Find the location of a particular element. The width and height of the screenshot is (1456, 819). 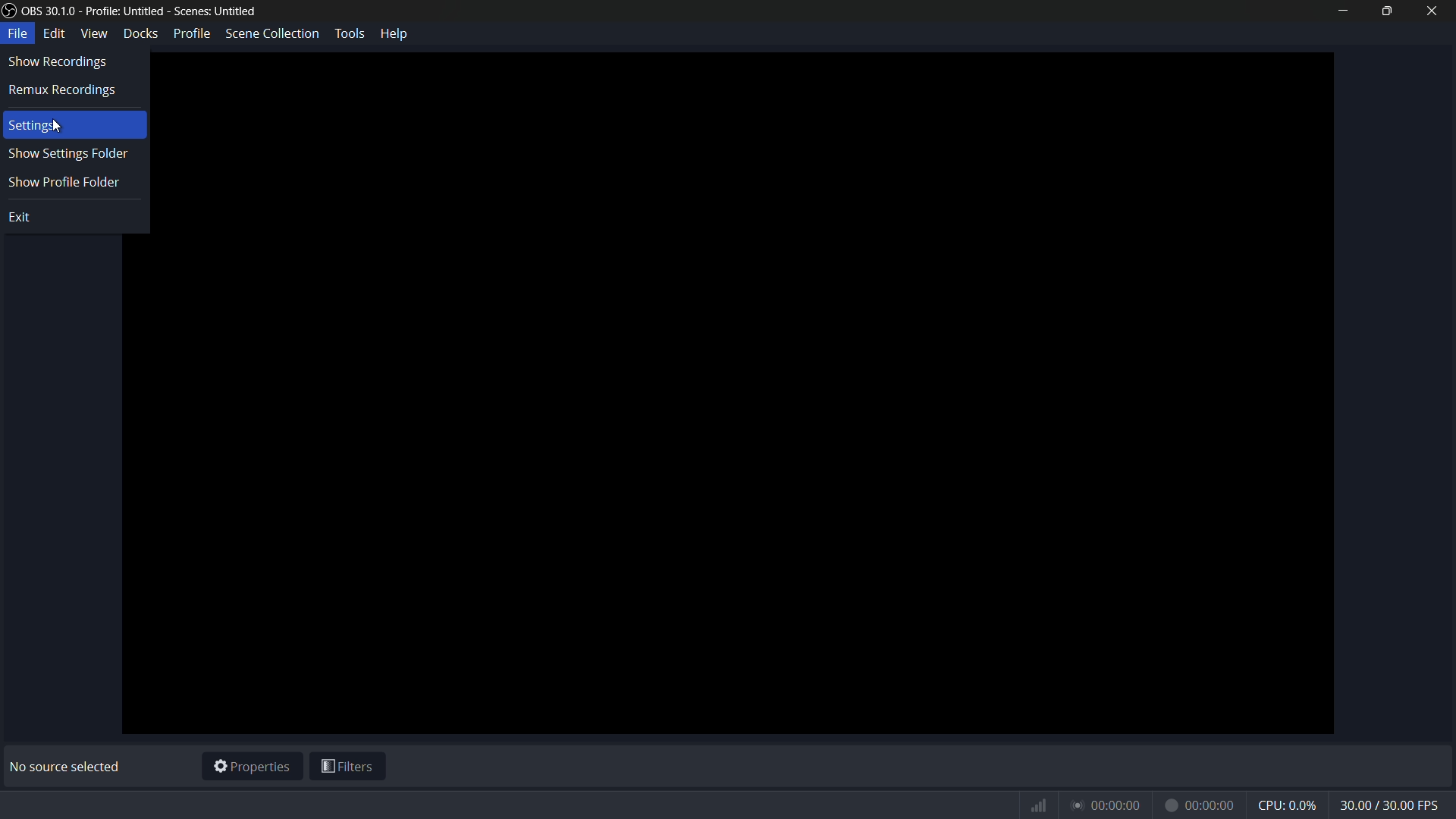

cpu usage is located at coordinates (1289, 805).